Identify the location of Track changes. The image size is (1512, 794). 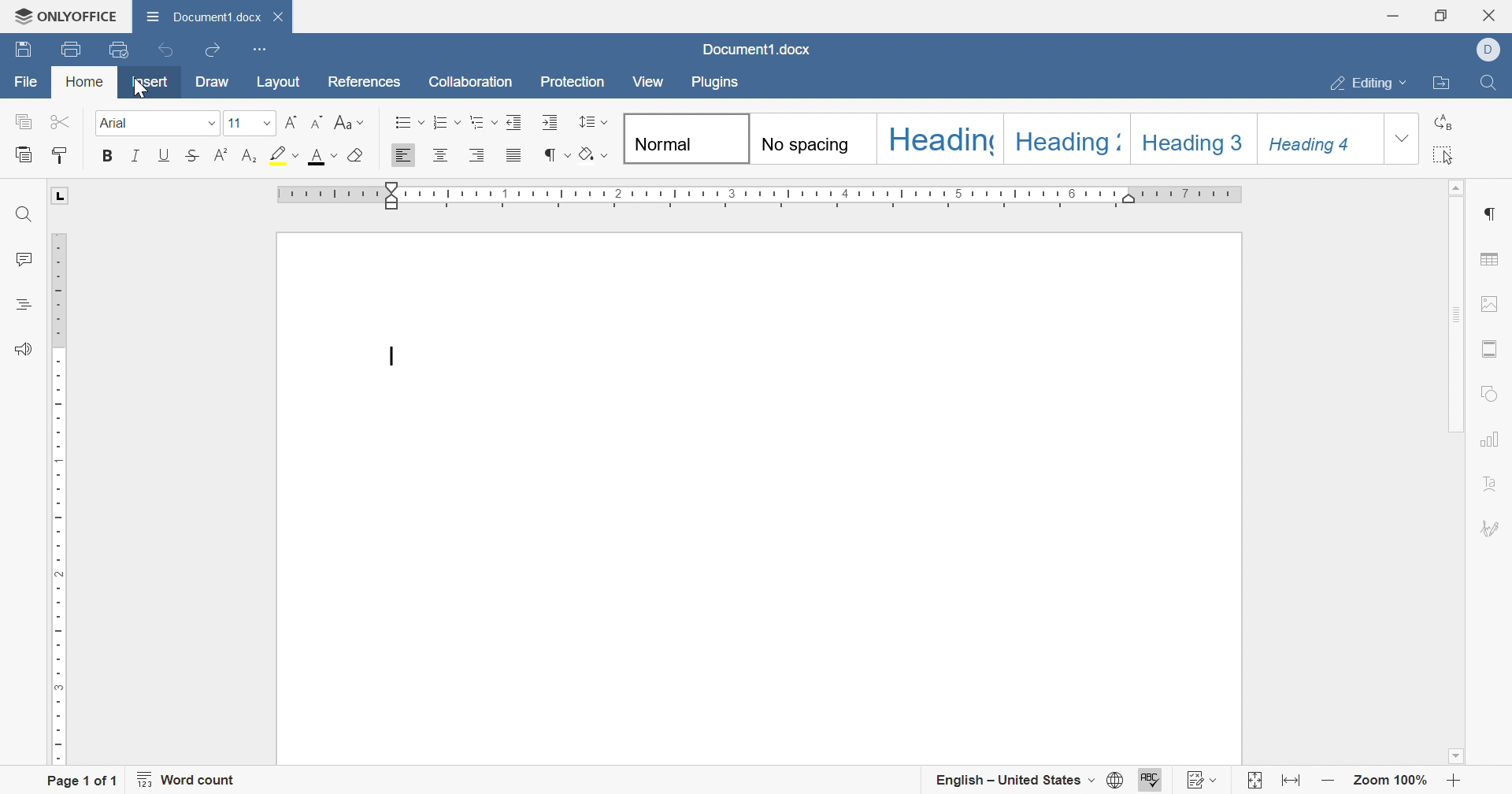
(1191, 779).